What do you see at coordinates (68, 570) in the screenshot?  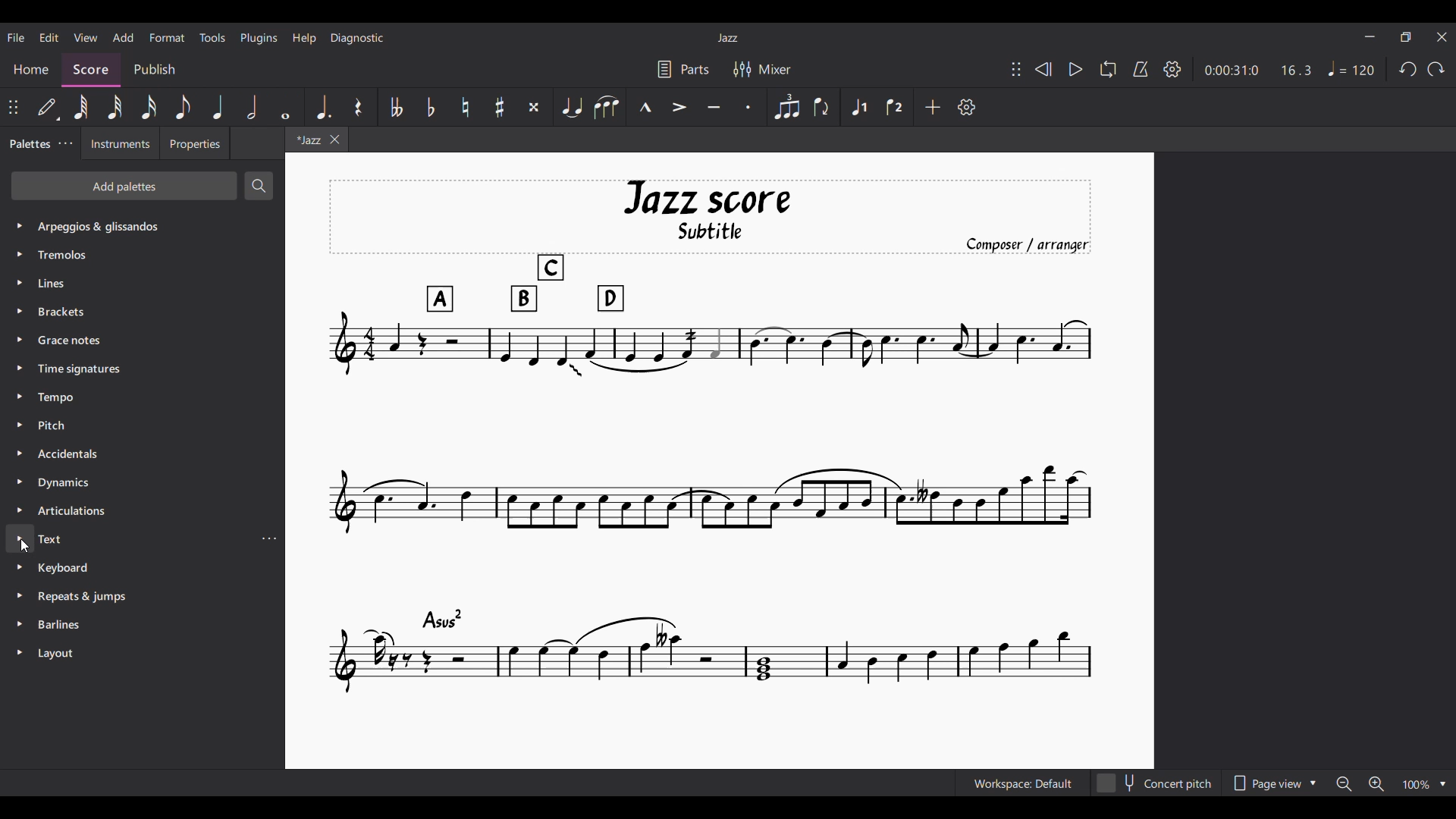 I see `` at bounding box center [68, 570].